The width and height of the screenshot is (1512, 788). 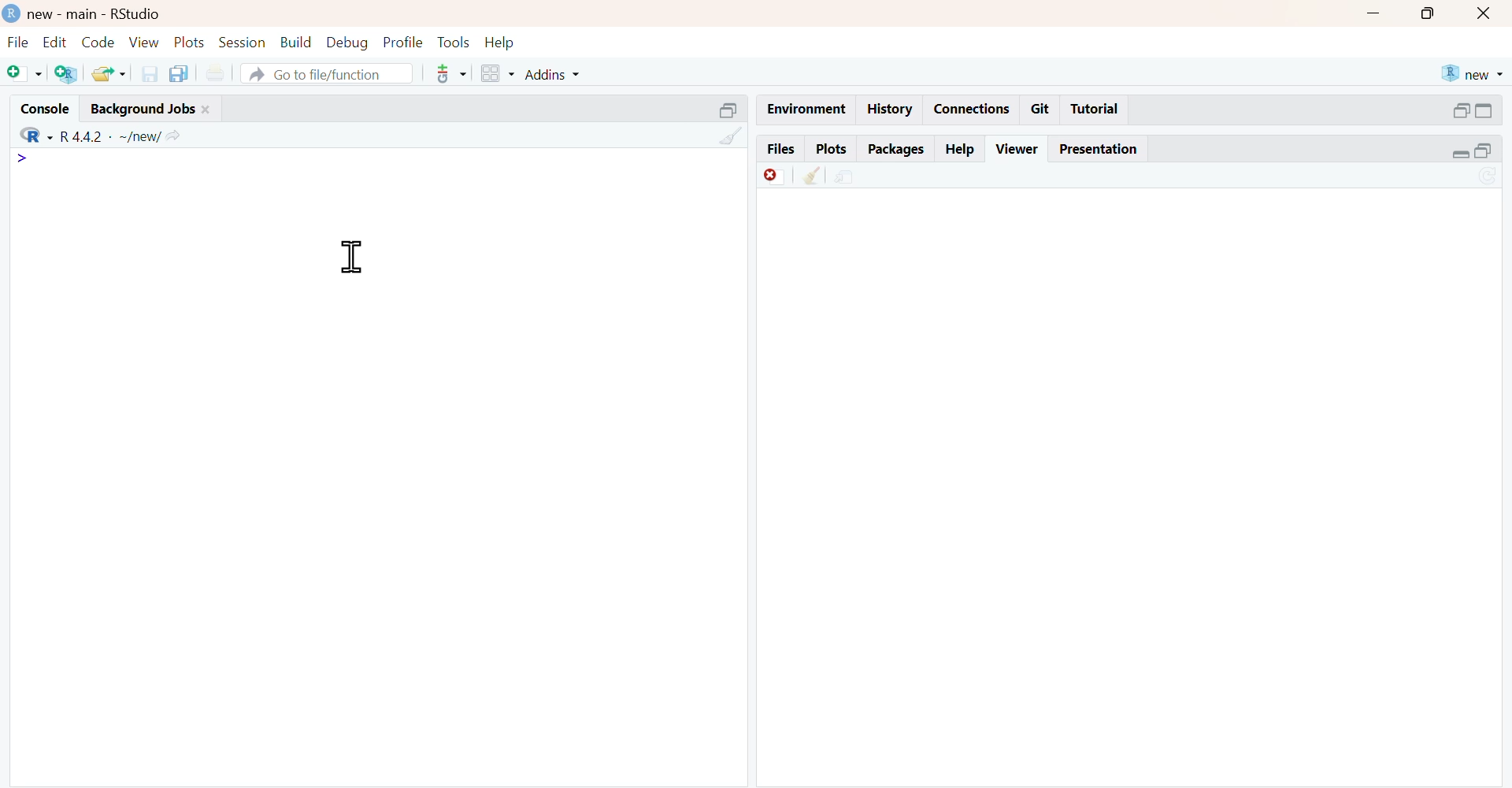 What do you see at coordinates (69, 74) in the screenshot?
I see `add R file` at bounding box center [69, 74].